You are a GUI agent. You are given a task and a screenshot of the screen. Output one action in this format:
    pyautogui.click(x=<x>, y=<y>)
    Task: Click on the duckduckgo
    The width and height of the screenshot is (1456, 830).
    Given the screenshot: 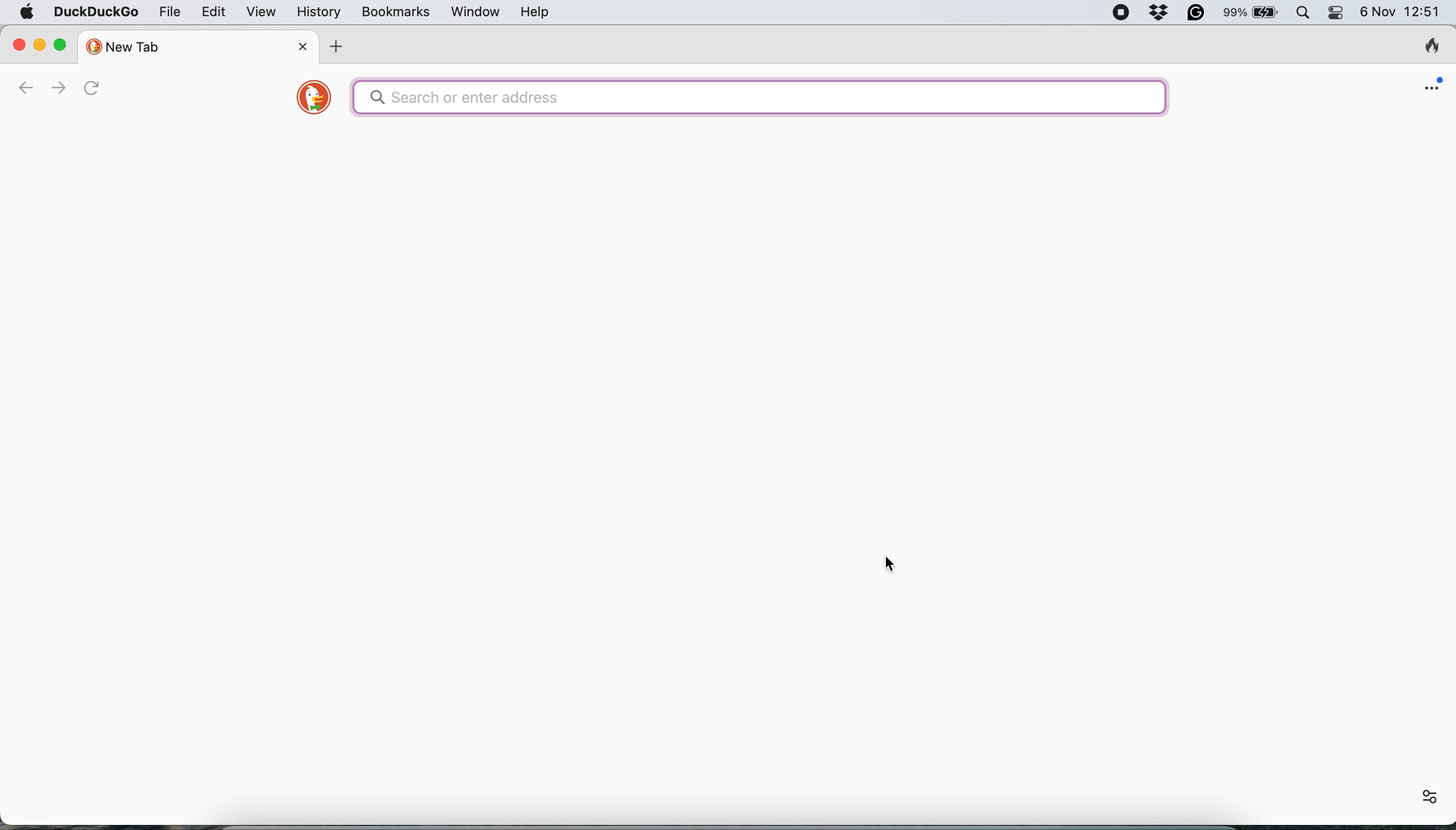 What is the action you would take?
    pyautogui.click(x=96, y=13)
    